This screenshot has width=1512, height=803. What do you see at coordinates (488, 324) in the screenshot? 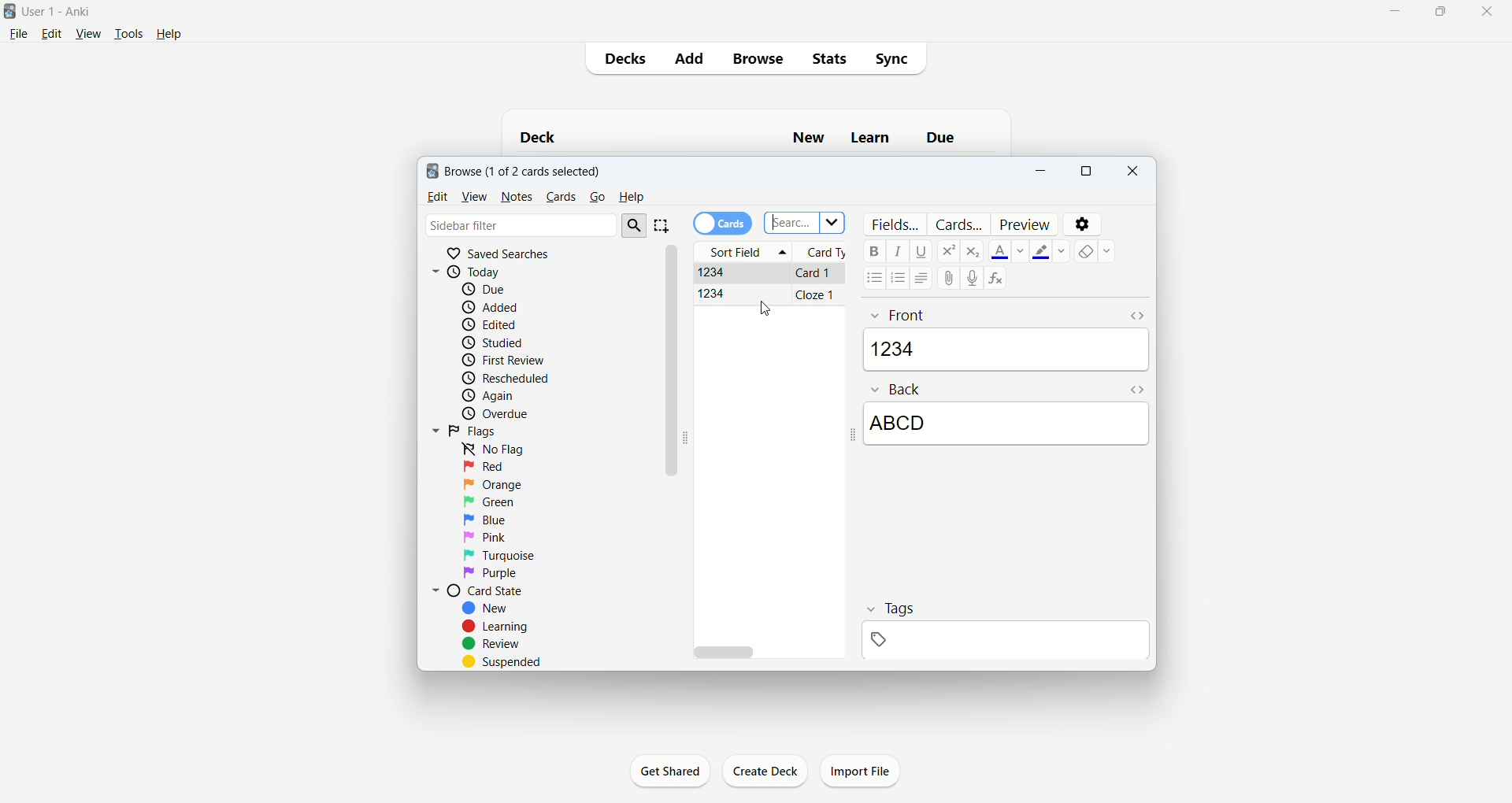
I see `edited` at bounding box center [488, 324].